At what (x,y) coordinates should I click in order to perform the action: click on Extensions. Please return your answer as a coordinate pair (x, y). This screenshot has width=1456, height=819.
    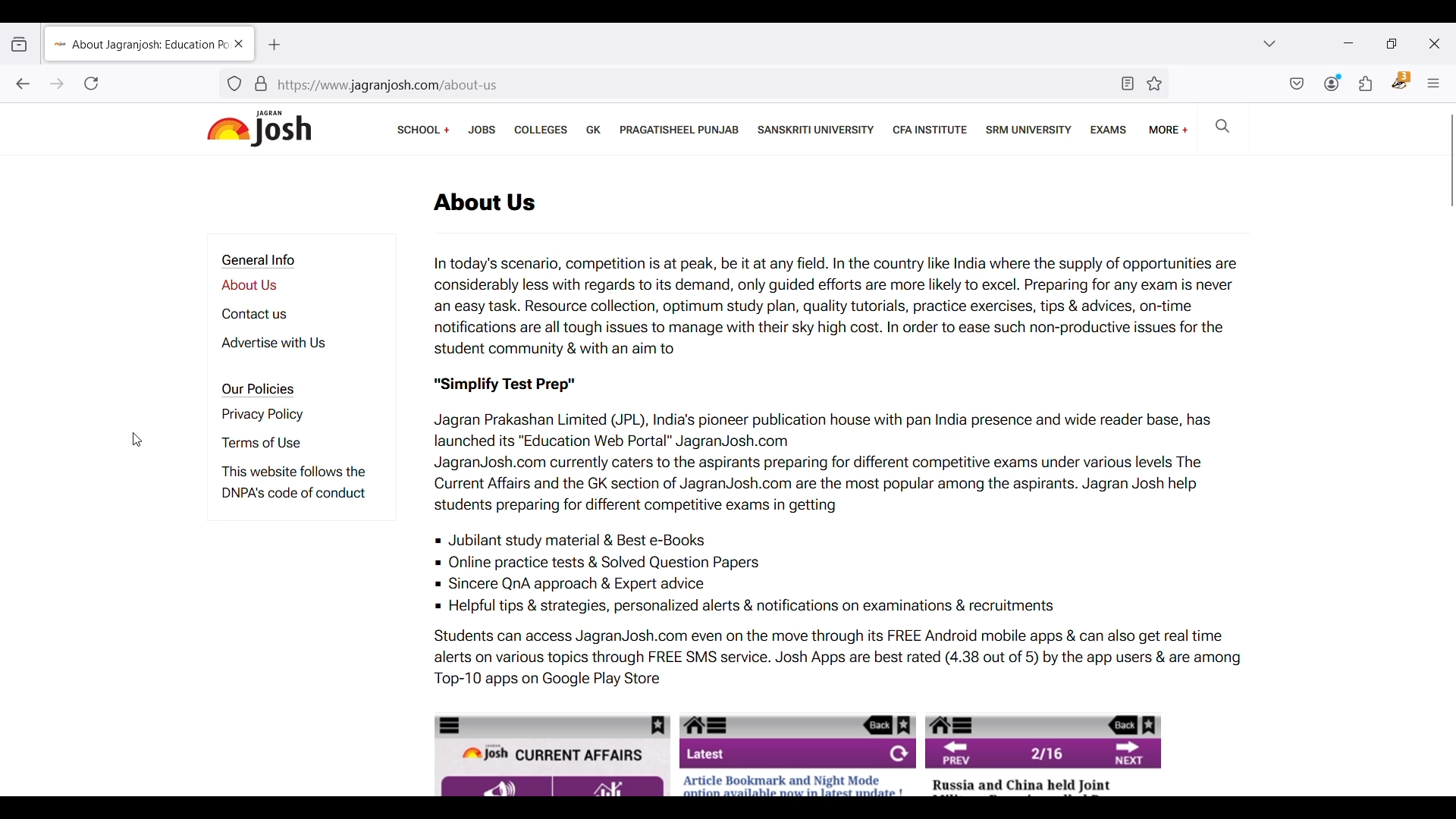
    Looking at the image, I should click on (1366, 83).